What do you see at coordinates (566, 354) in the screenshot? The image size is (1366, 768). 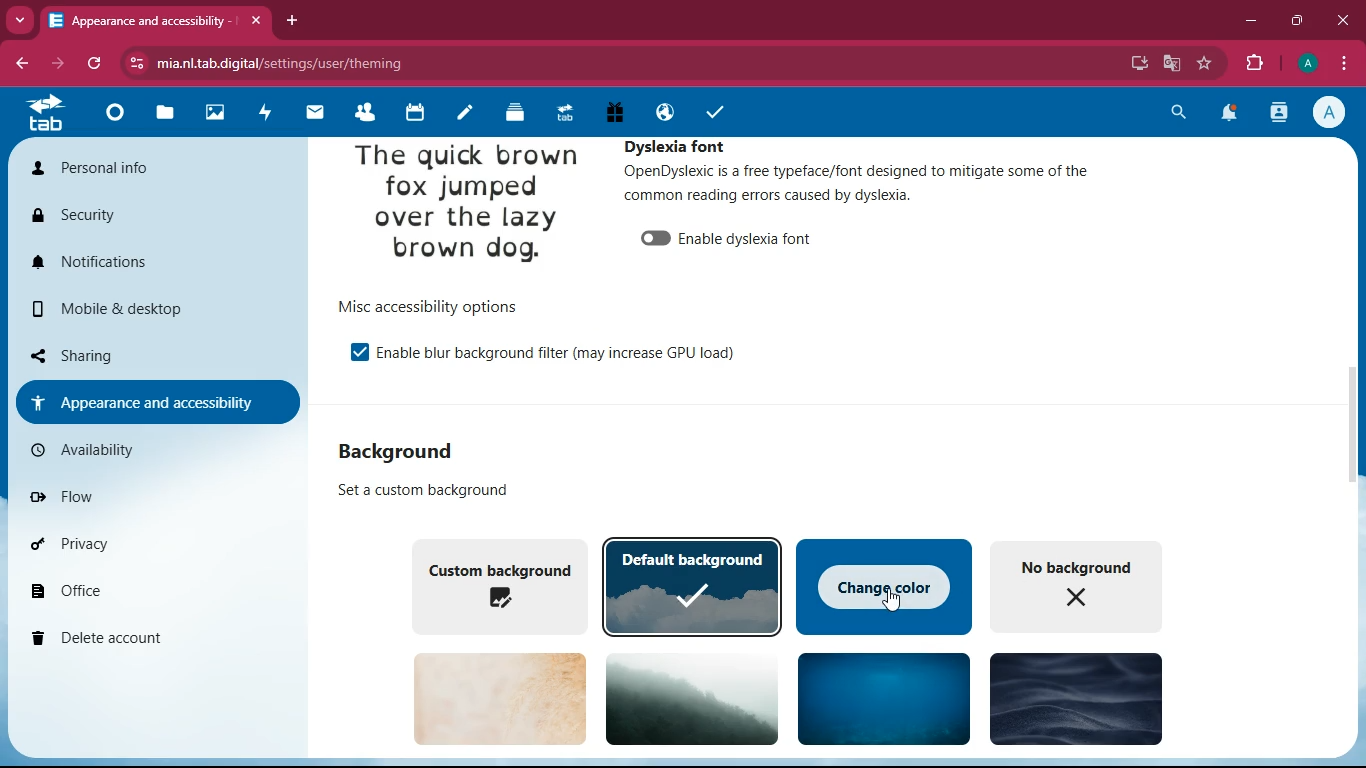 I see `enable the background filter (may increase GPU load)` at bounding box center [566, 354].